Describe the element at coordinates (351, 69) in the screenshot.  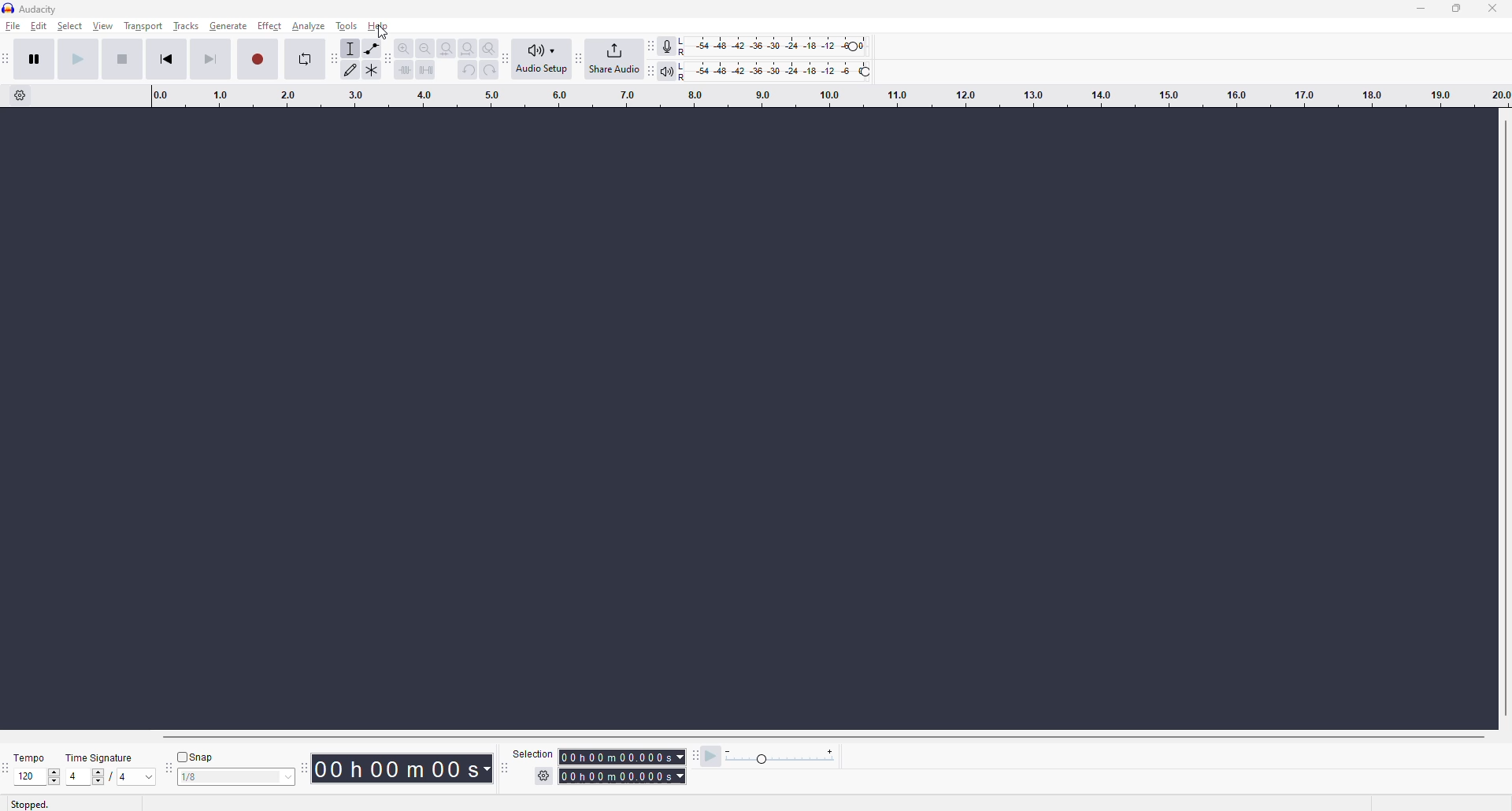
I see `draw tool` at that location.